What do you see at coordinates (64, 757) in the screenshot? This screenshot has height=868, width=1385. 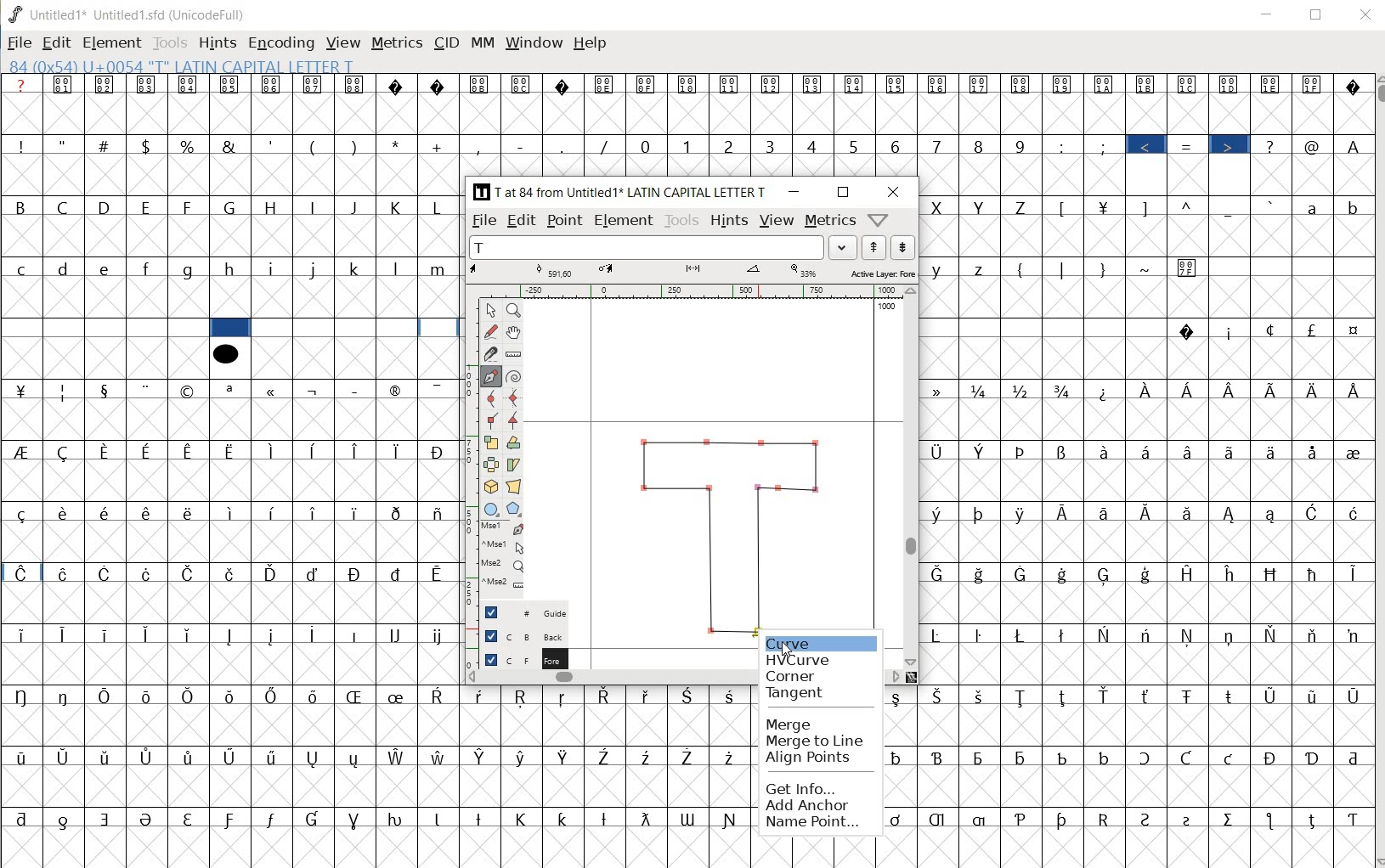 I see `Symbol` at bounding box center [64, 757].